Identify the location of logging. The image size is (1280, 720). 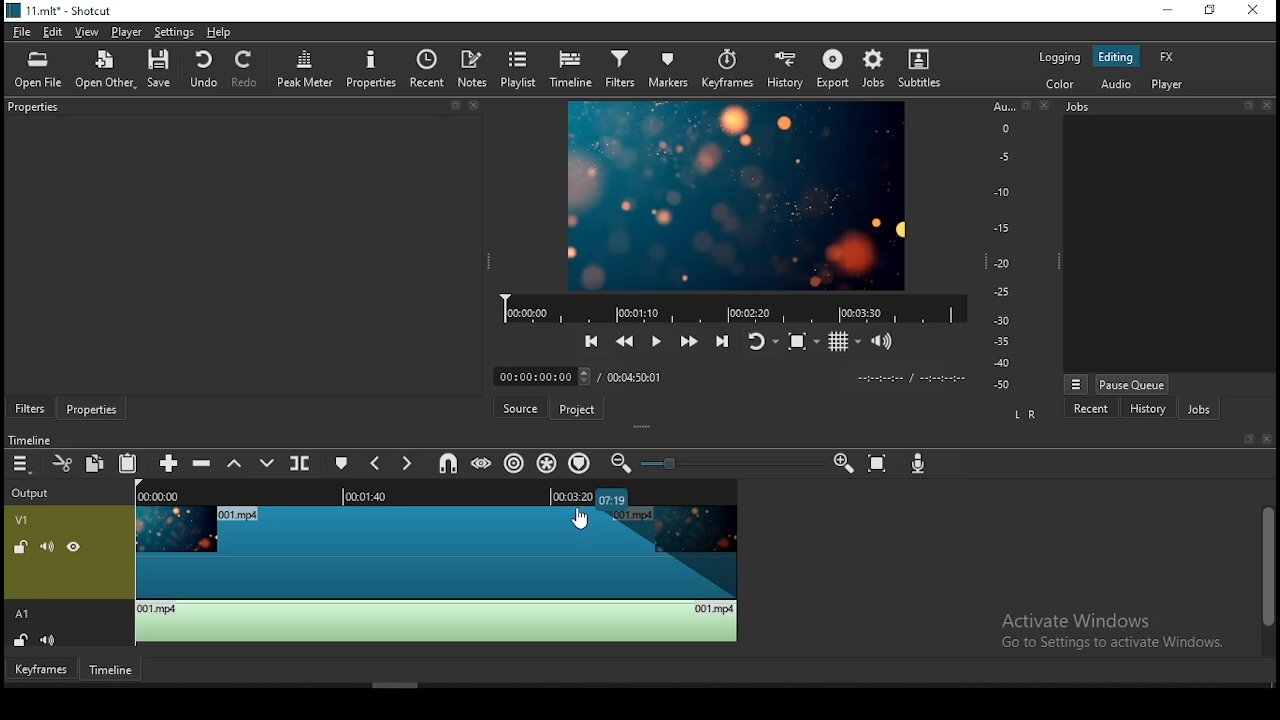
(1060, 55).